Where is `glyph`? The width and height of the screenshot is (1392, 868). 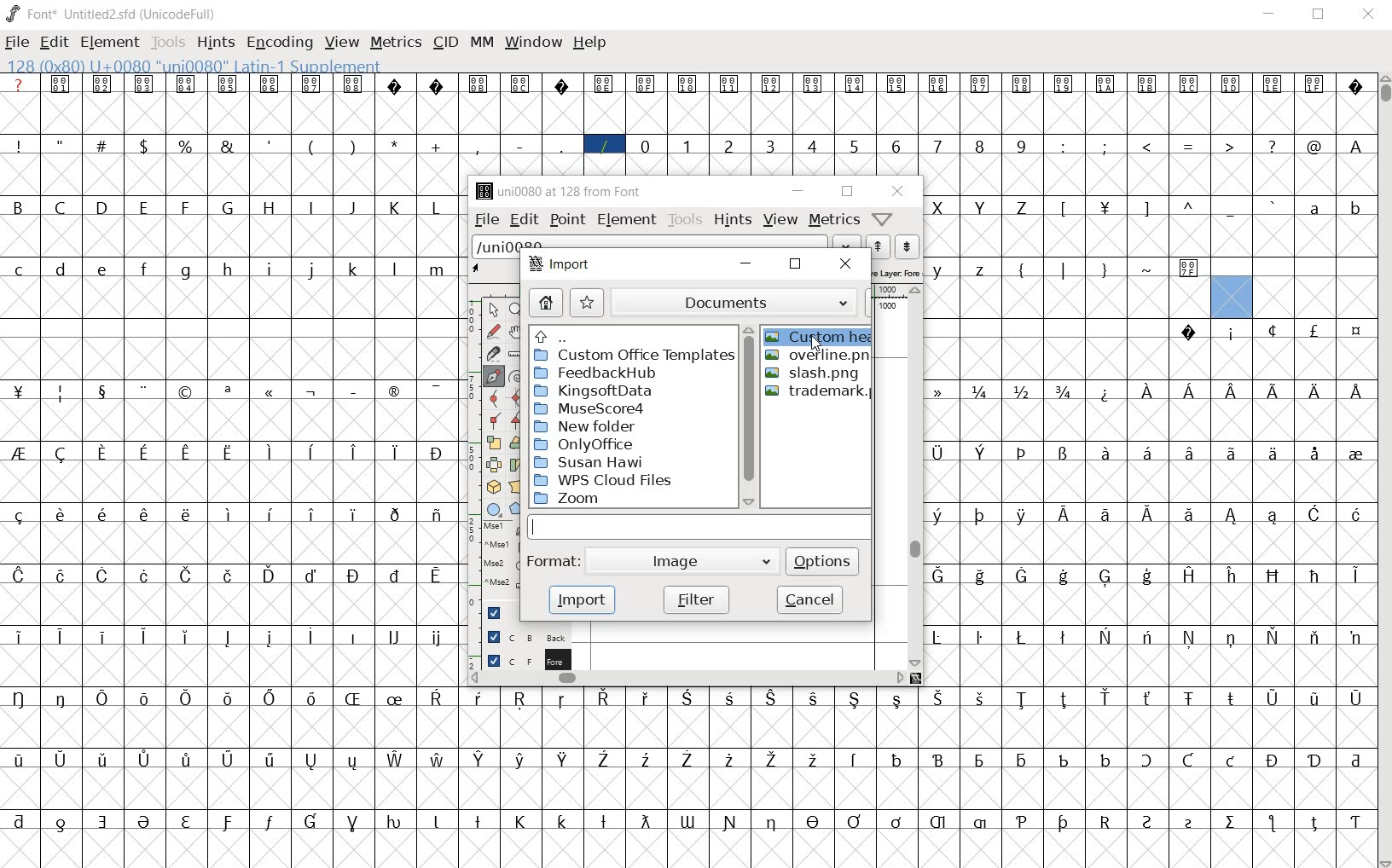
glyph is located at coordinates (811, 145).